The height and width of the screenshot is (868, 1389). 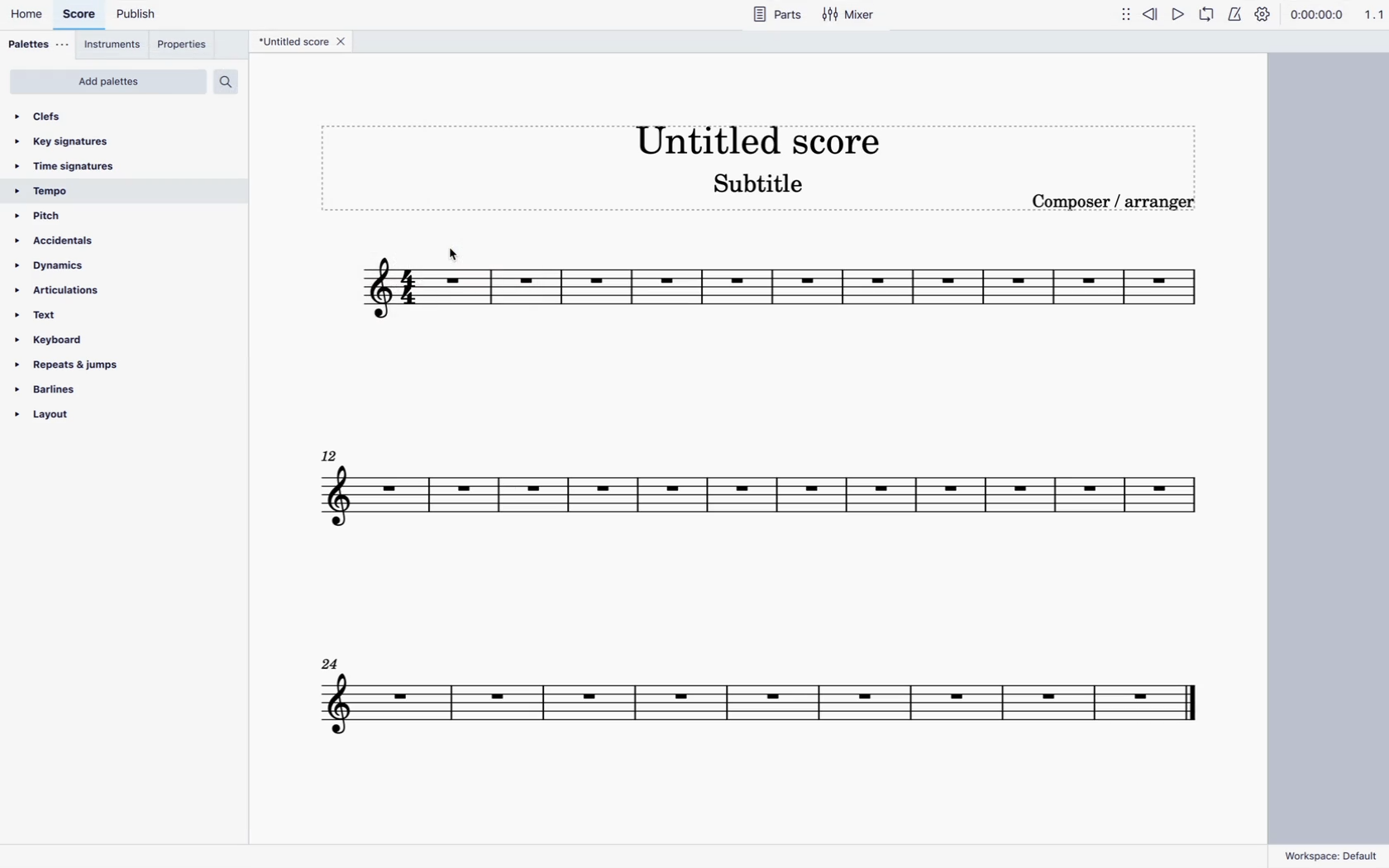 I want to click on play, so click(x=1179, y=14).